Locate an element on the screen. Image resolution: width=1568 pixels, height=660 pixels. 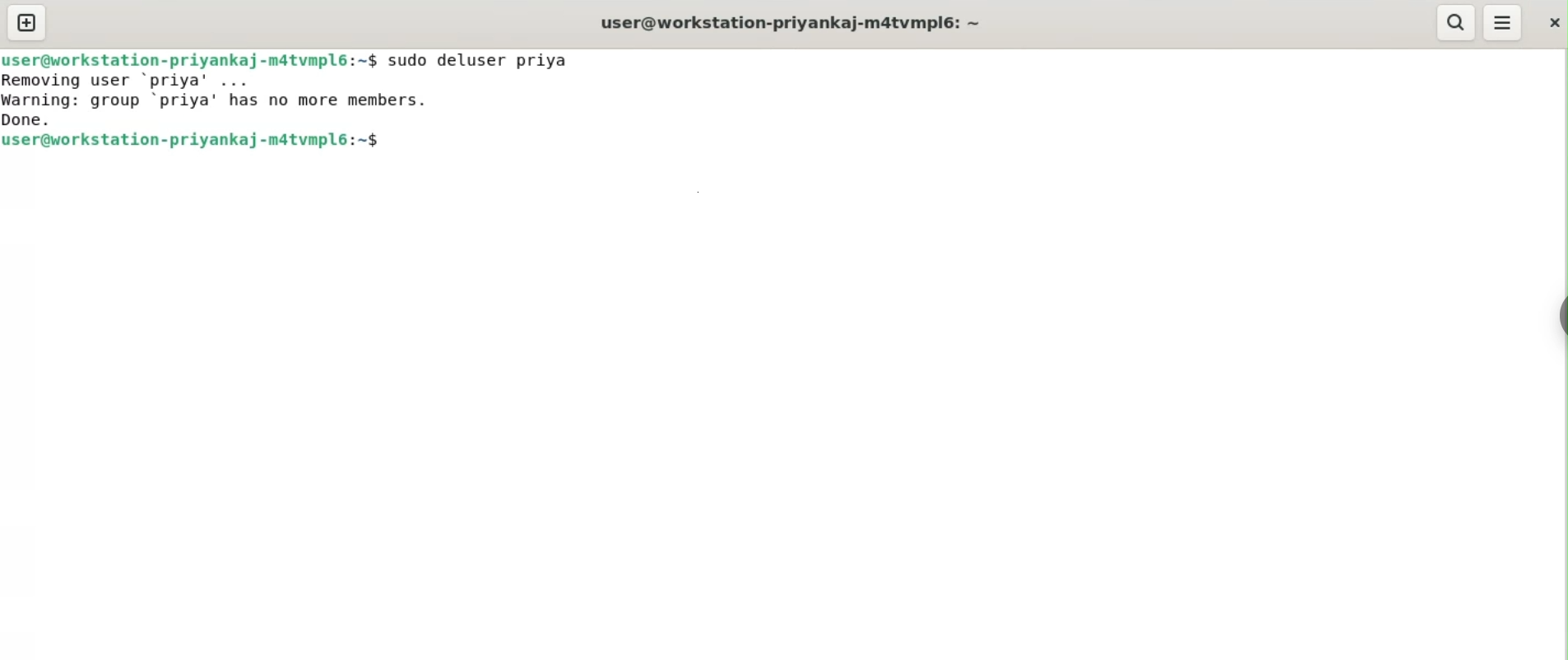
Removing user 'priya' Warning: group 'priya' has no more members. Done. is located at coordinates (210, 102).